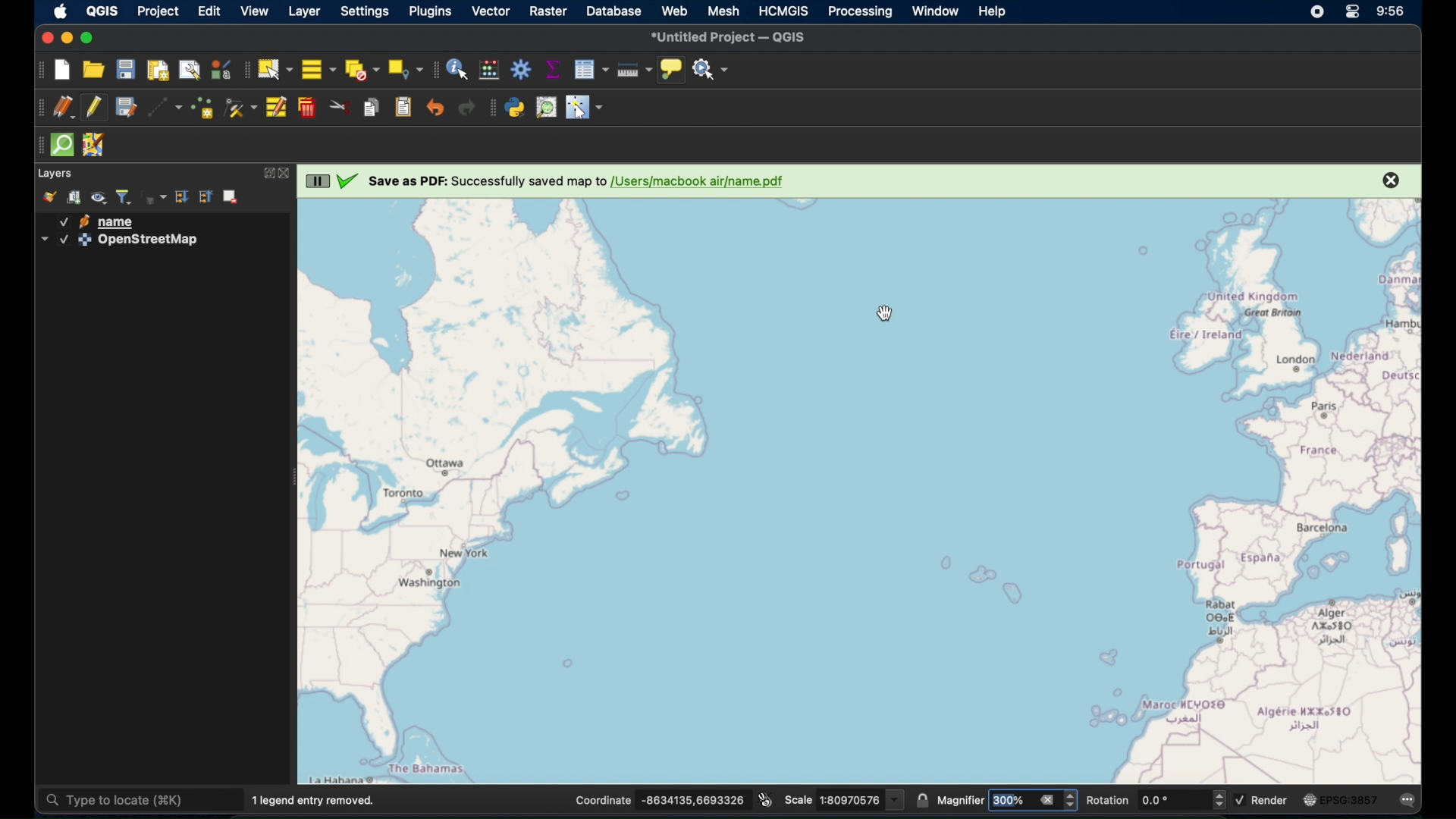  What do you see at coordinates (206, 196) in the screenshot?
I see `collapse all` at bounding box center [206, 196].